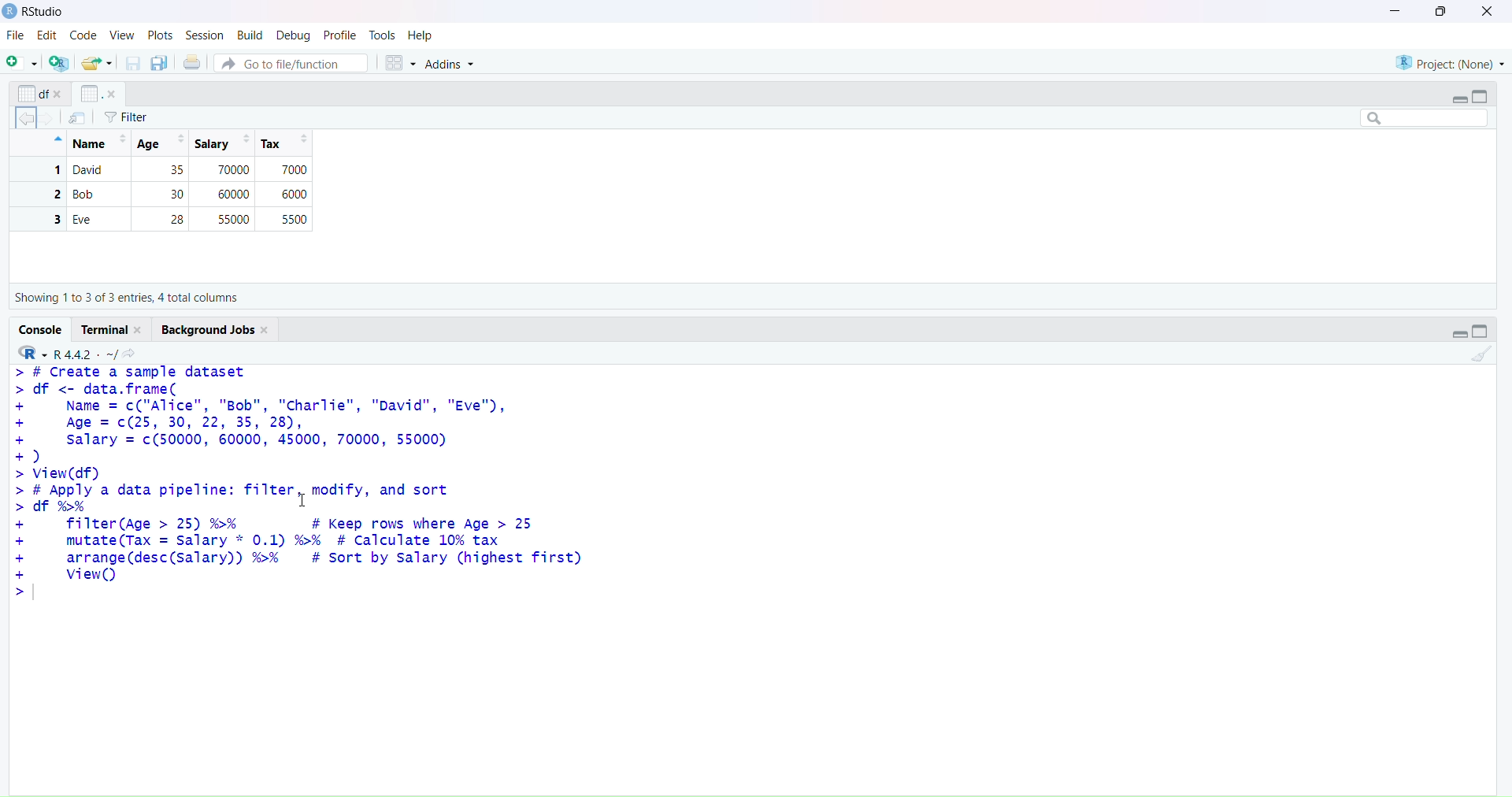 This screenshot has height=797, width=1512. What do you see at coordinates (50, 35) in the screenshot?
I see `edit` at bounding box center [50, 35].